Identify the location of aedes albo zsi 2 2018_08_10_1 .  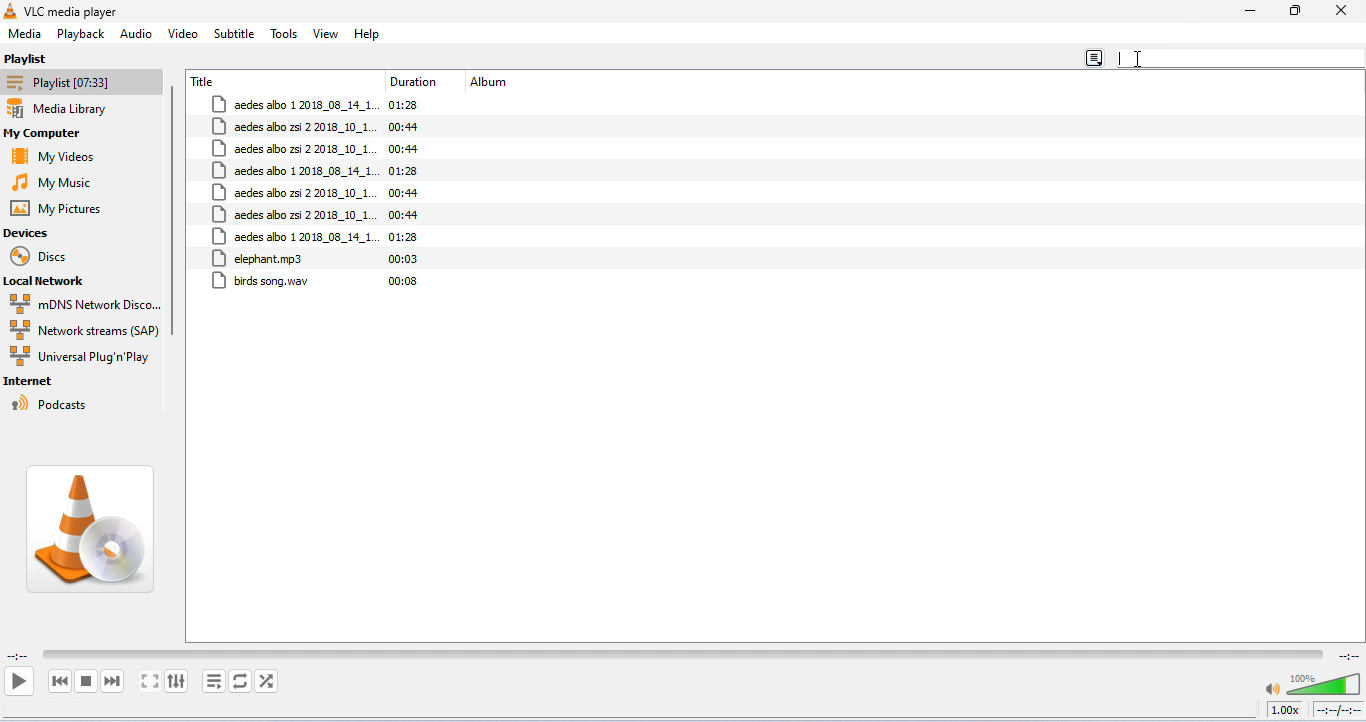
(295, 127).